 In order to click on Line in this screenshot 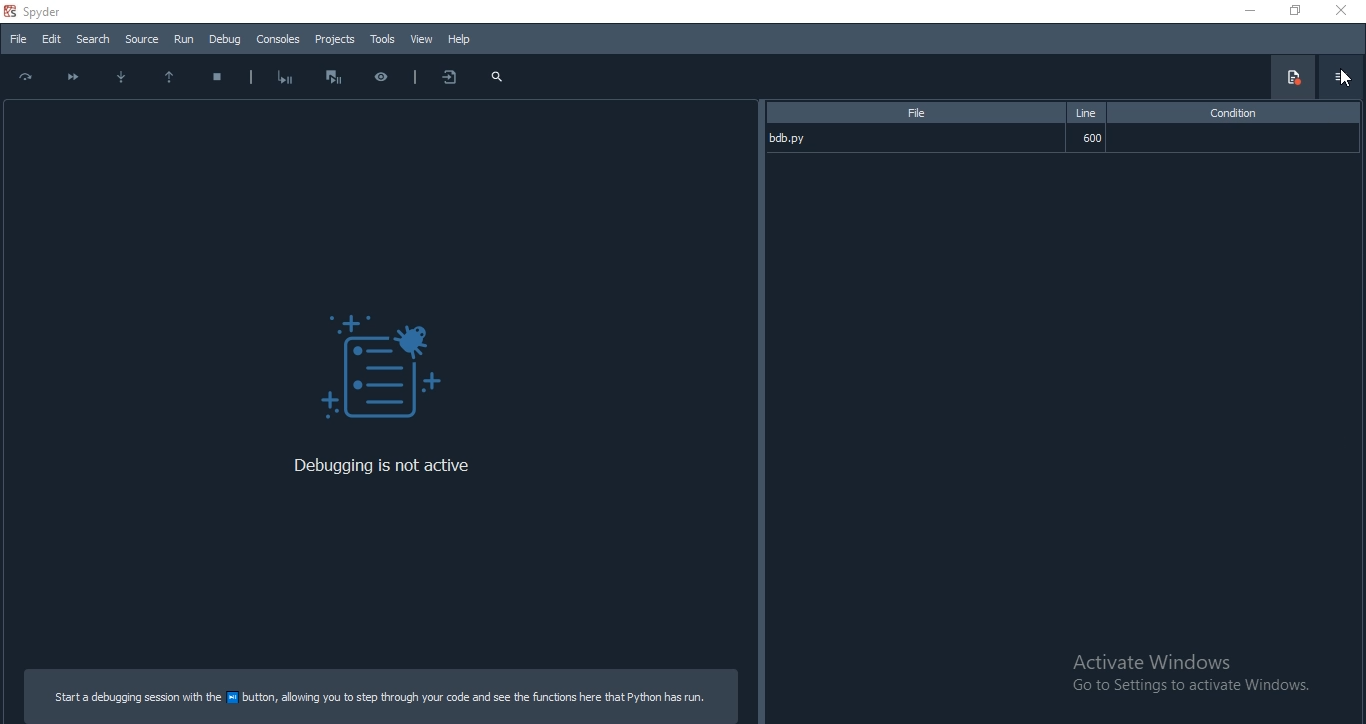, I will do `click(1089, 113)`.